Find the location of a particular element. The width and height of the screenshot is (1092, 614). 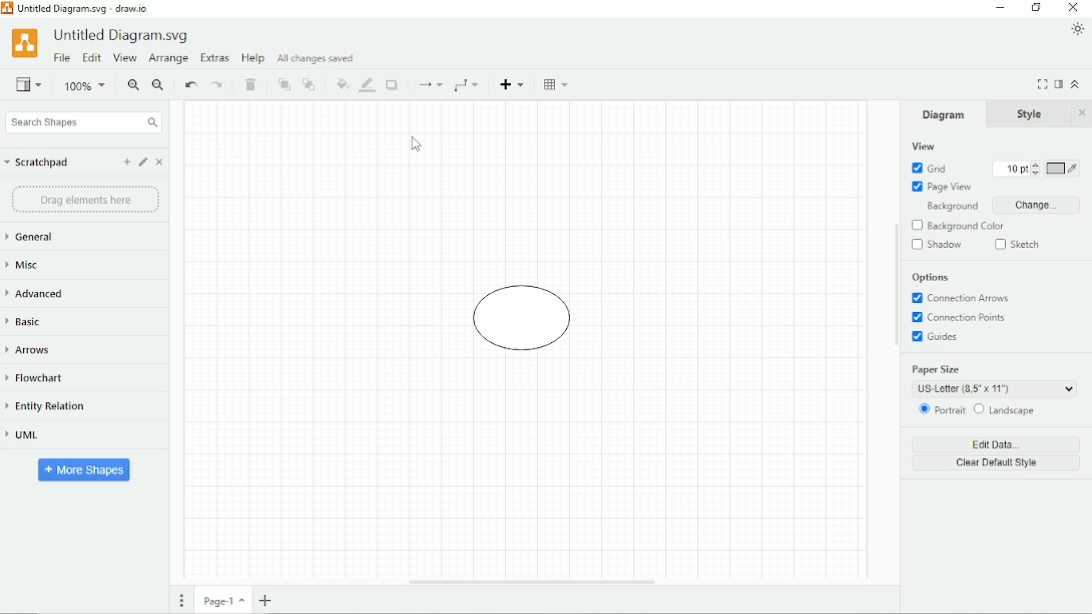

Appearance is located at coordinates (1078, 29).